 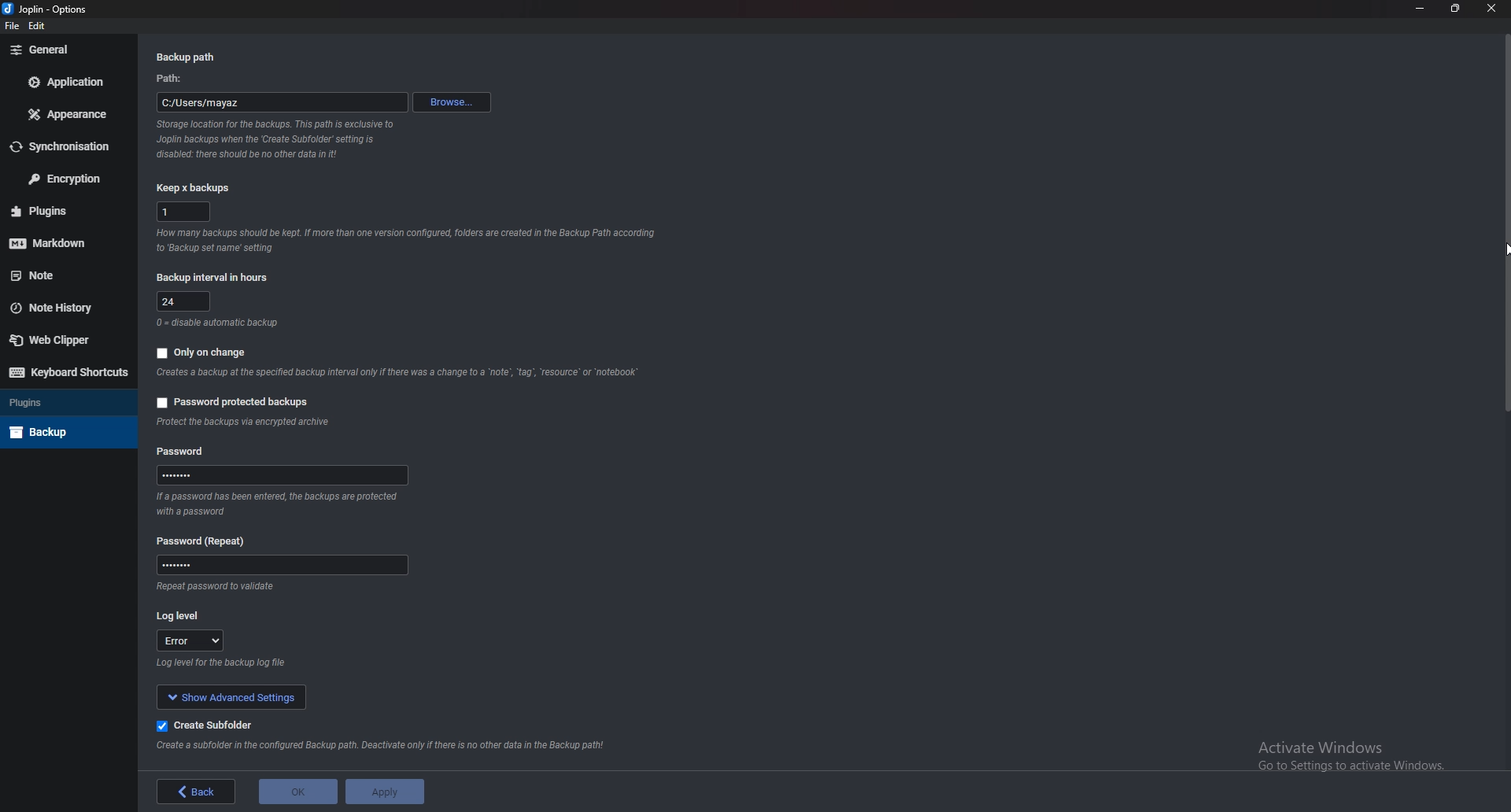 What do you see at coordinates (1362, 752) in the screenshot?
I see `activate windows` at bounding box center [1362, 752].